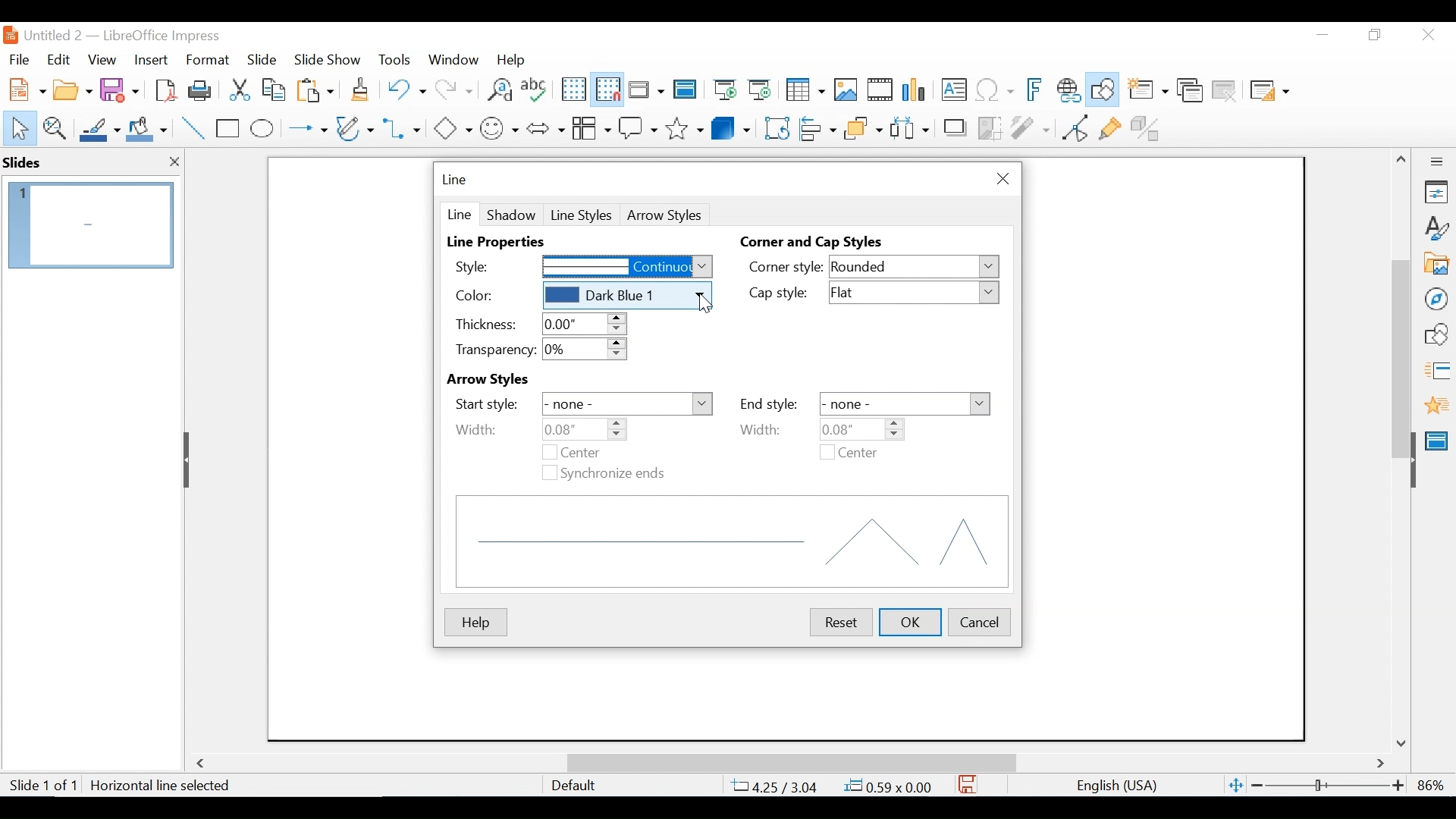 This screenshot has width=1456, height=819. What do you see at coordinates (1436, 334) in the screenshot?
I see `Shapes` at bounding box center [1436, 334].